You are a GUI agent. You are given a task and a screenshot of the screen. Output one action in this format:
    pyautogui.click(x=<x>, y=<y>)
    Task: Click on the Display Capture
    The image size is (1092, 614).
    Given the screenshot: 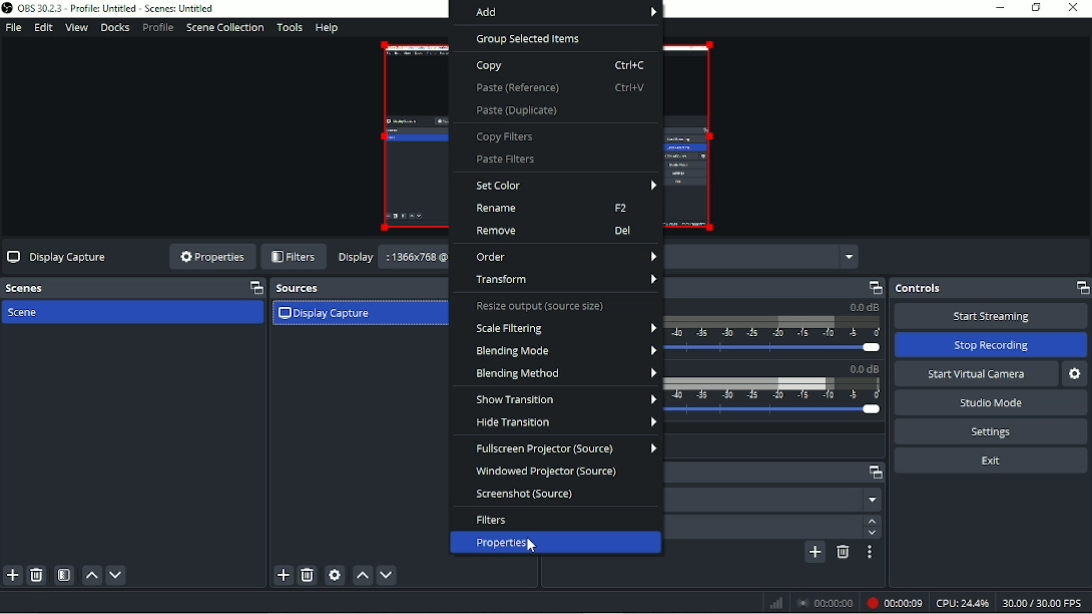 What is the action you would take?
    pyautogui.click(x=327, y=315)
    